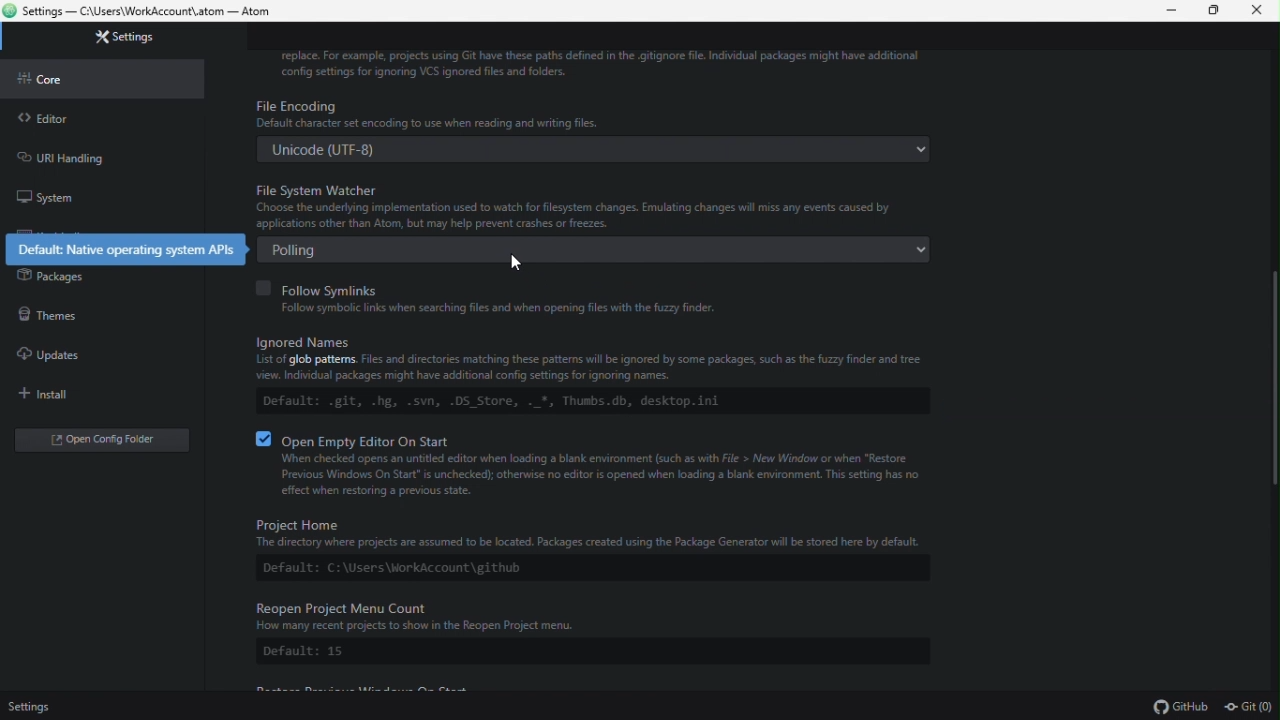  Describe the element at coordinates (576, 115) in the screenshot. I see `File Encoding Default character set encoding to use when reading and writing files.` at that location.